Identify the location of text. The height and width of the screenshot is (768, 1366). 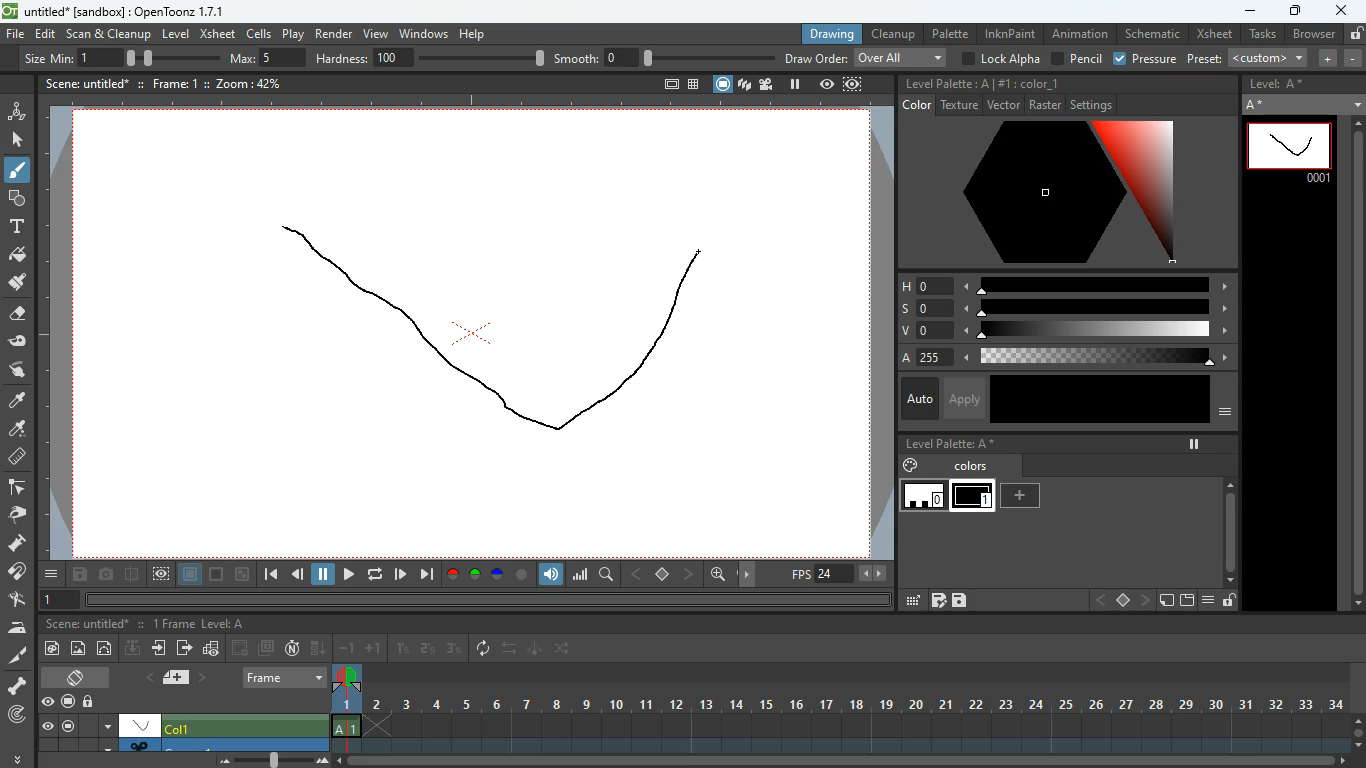
(15, 226).